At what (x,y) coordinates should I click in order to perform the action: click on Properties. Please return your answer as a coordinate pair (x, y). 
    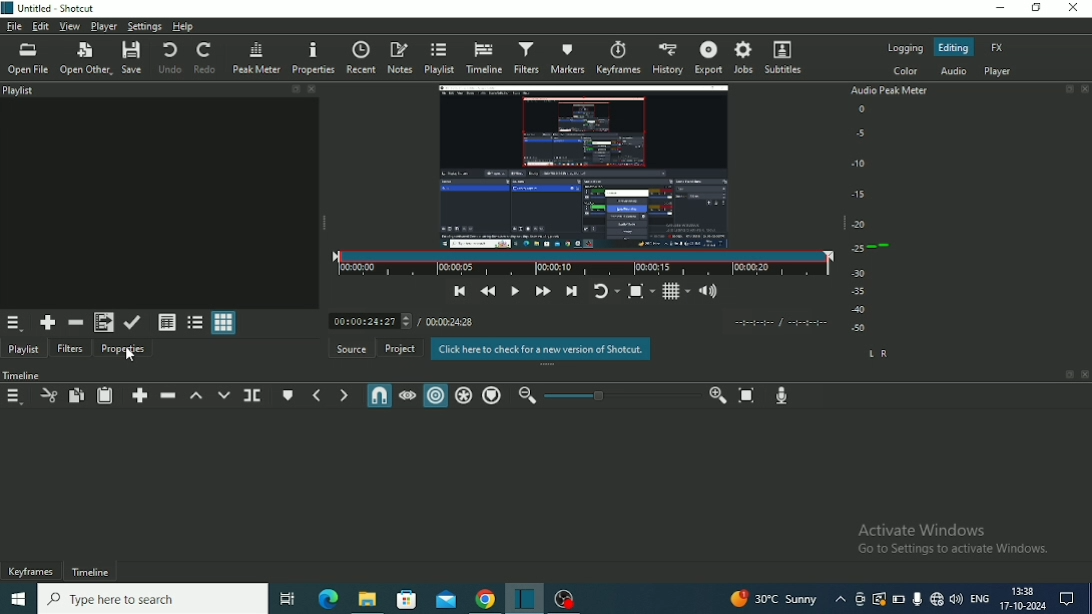
    Looking at the image, I should click on (312, 57).